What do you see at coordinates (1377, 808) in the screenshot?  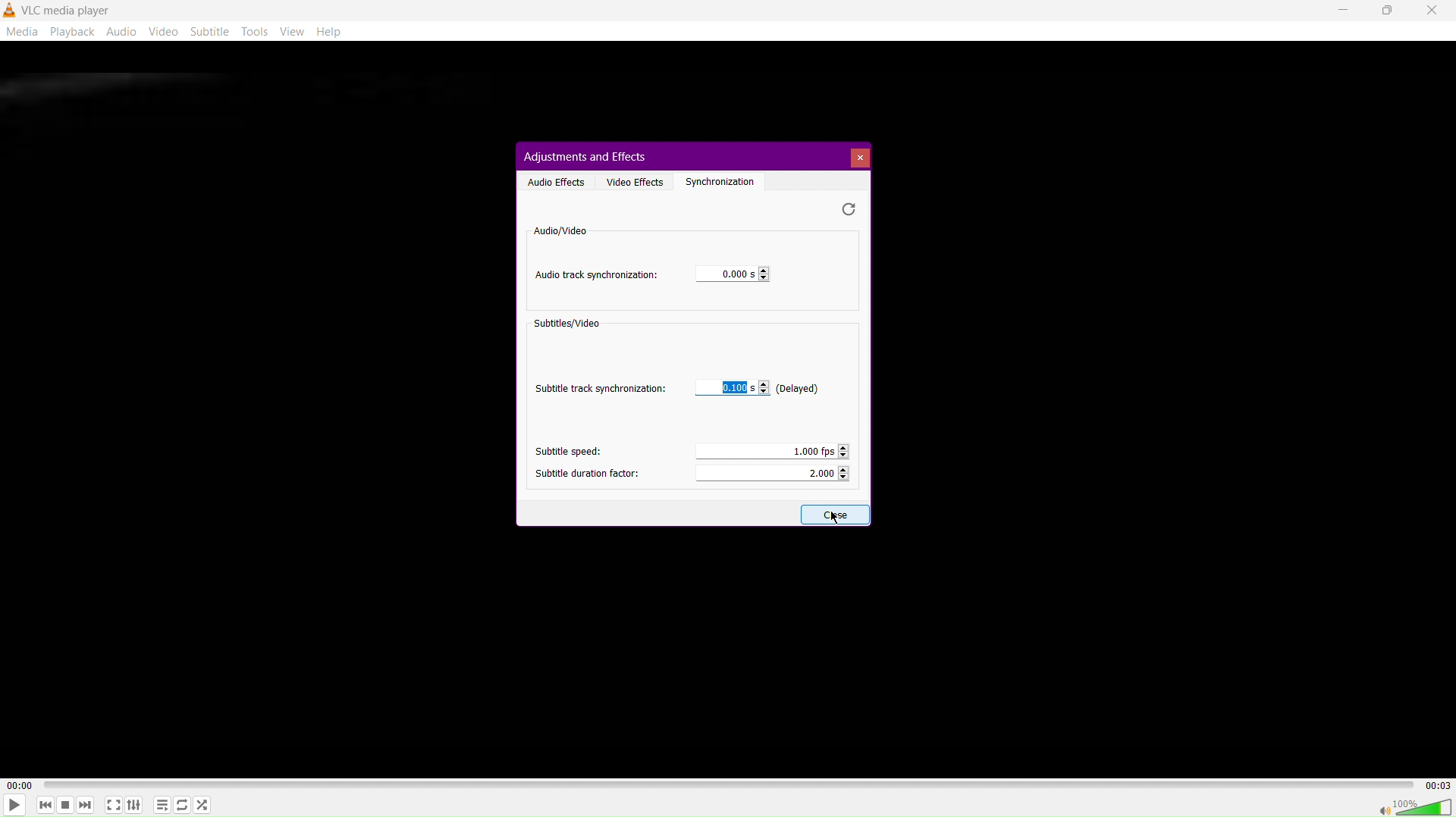 I see `mute/unmute` at bounding box center [1377, 808].